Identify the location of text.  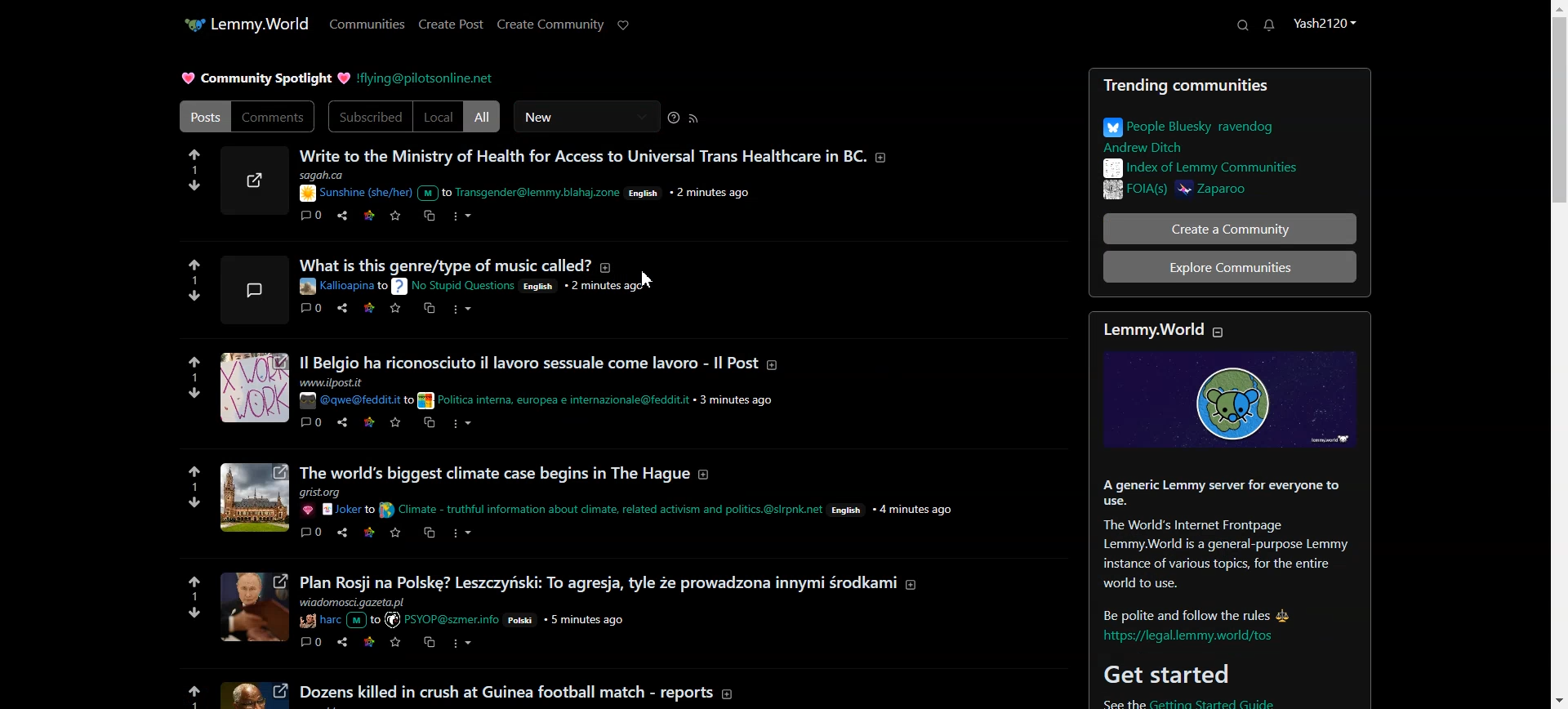
(360, 493).